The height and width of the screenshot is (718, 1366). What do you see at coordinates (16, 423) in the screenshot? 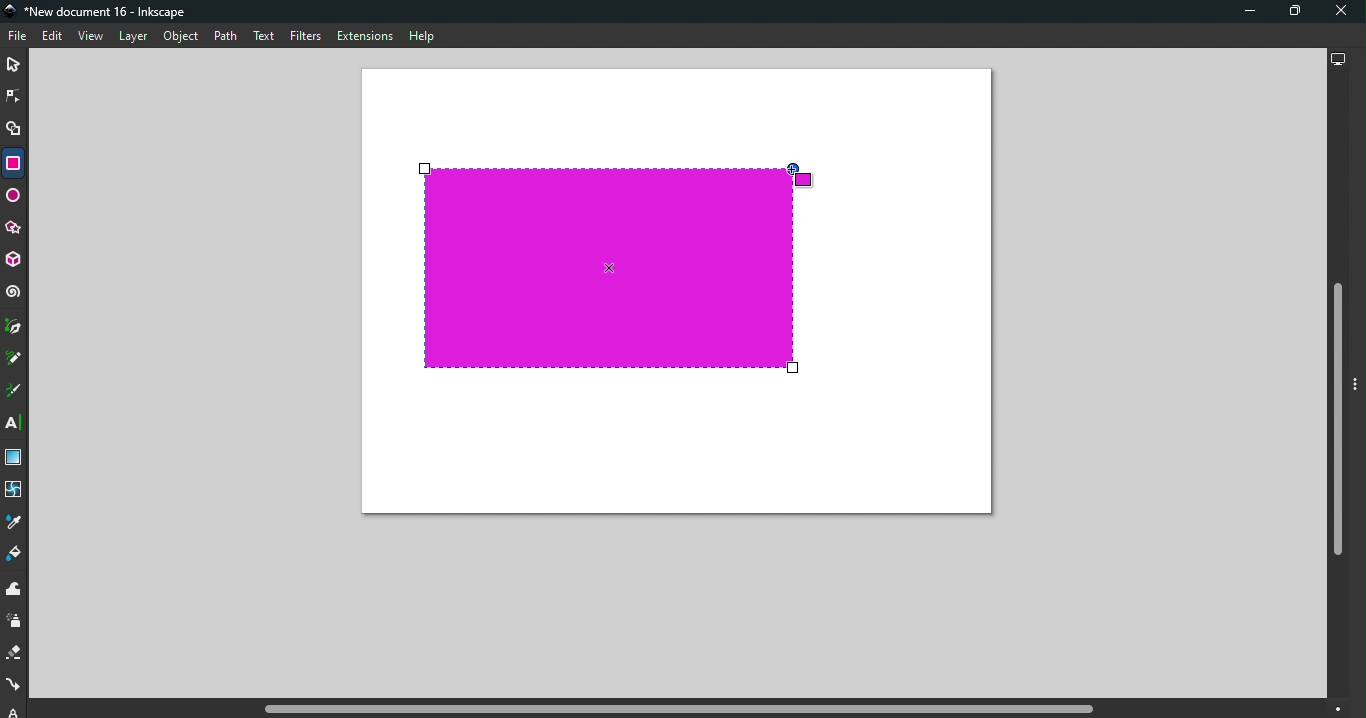
I see `Text tool` at bounding box center [16, 423].